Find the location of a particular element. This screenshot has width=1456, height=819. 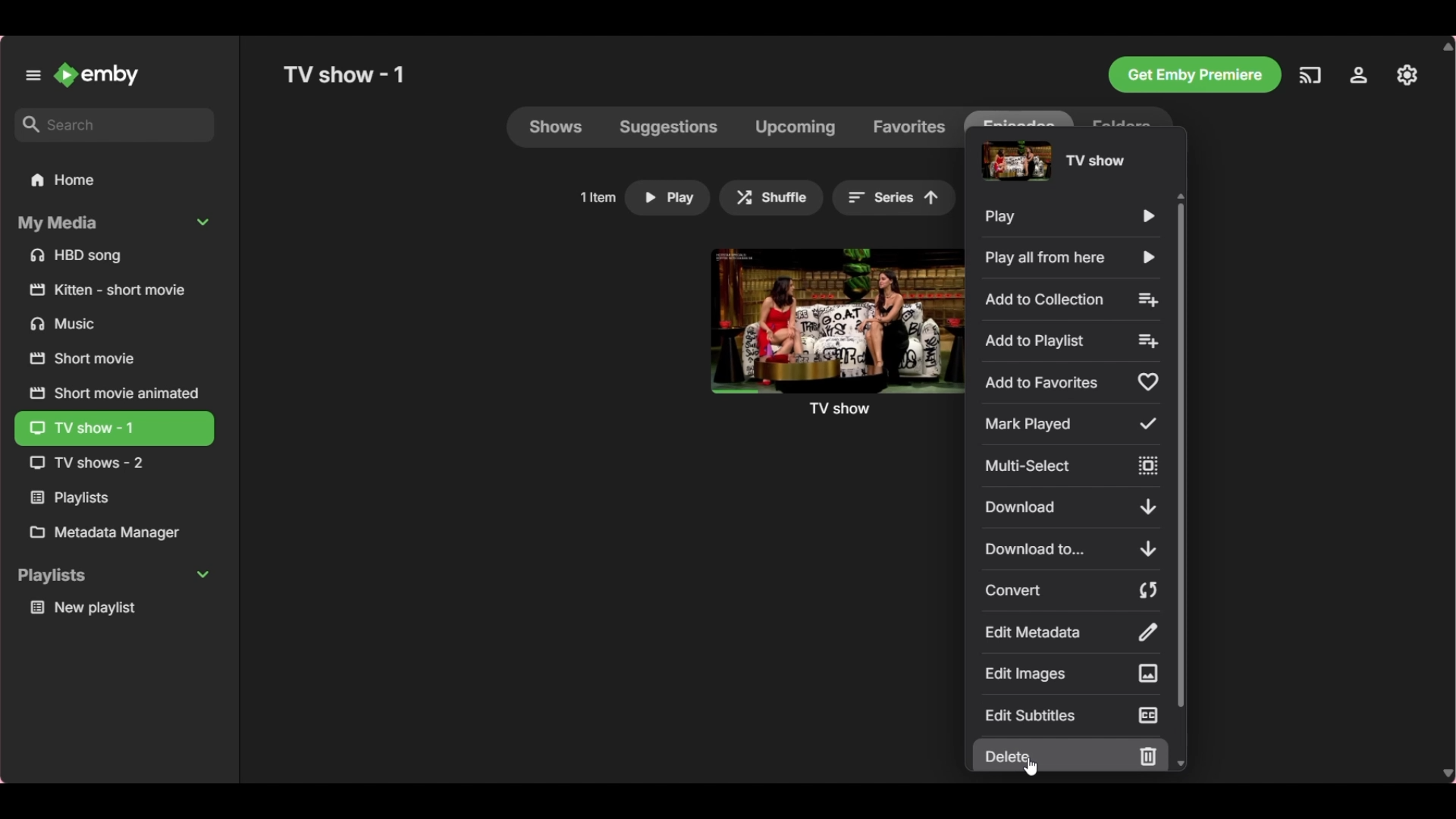

Convert is located at coordinates (1071, 590).